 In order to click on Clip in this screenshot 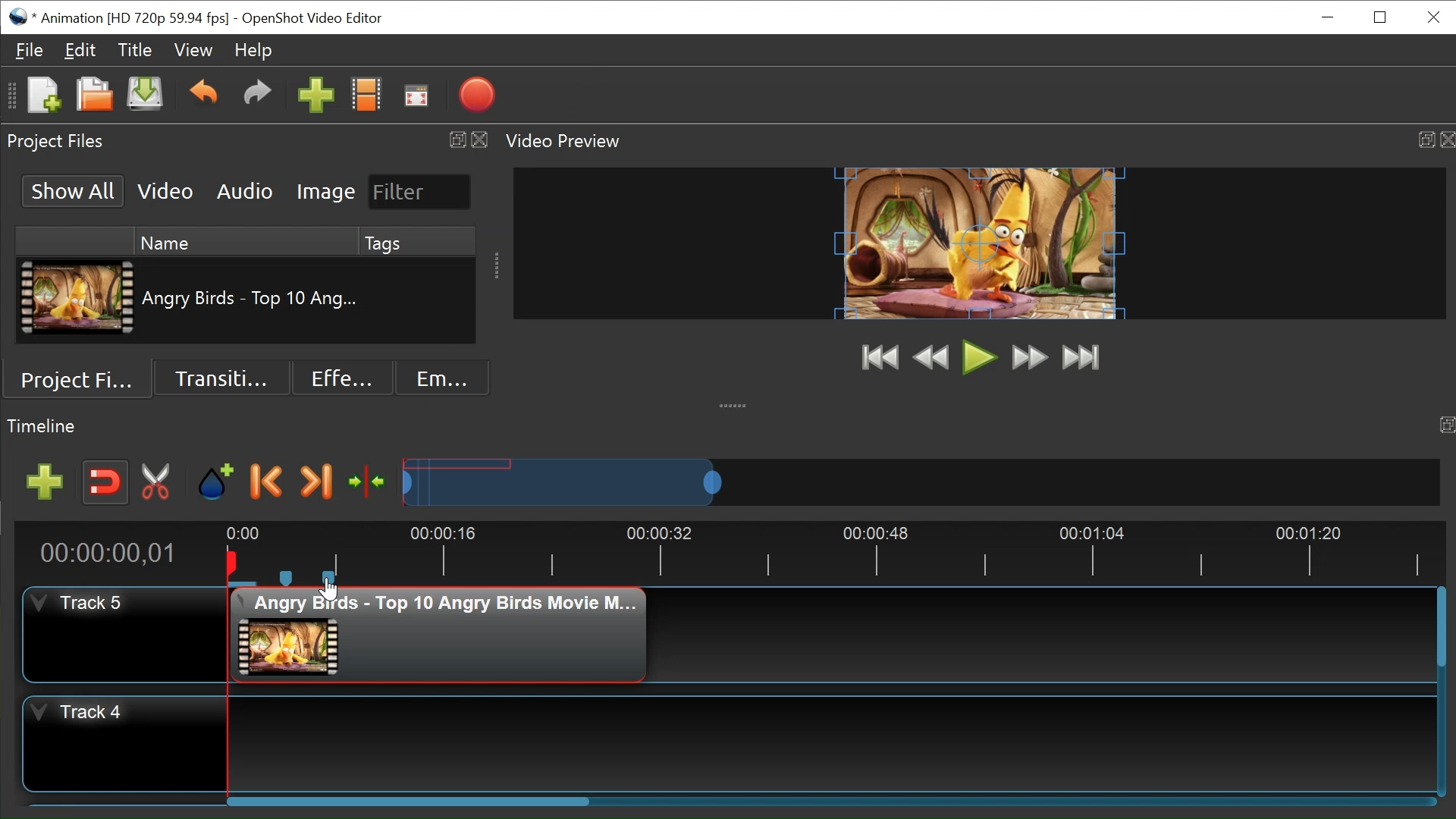, I will do `click(77, 298)`.